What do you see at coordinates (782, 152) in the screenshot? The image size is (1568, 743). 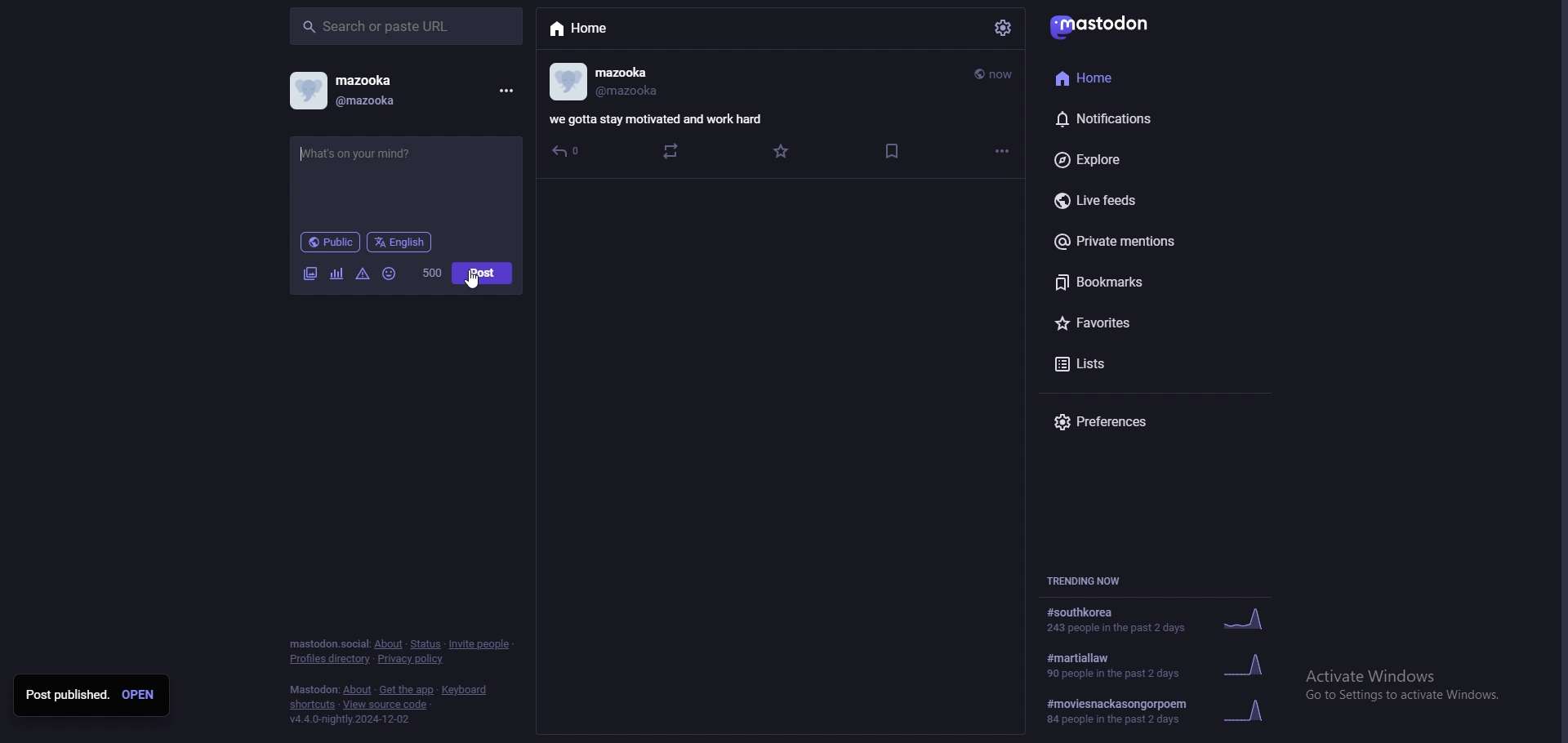 I see `favorite` at bounding box center [782, 152].